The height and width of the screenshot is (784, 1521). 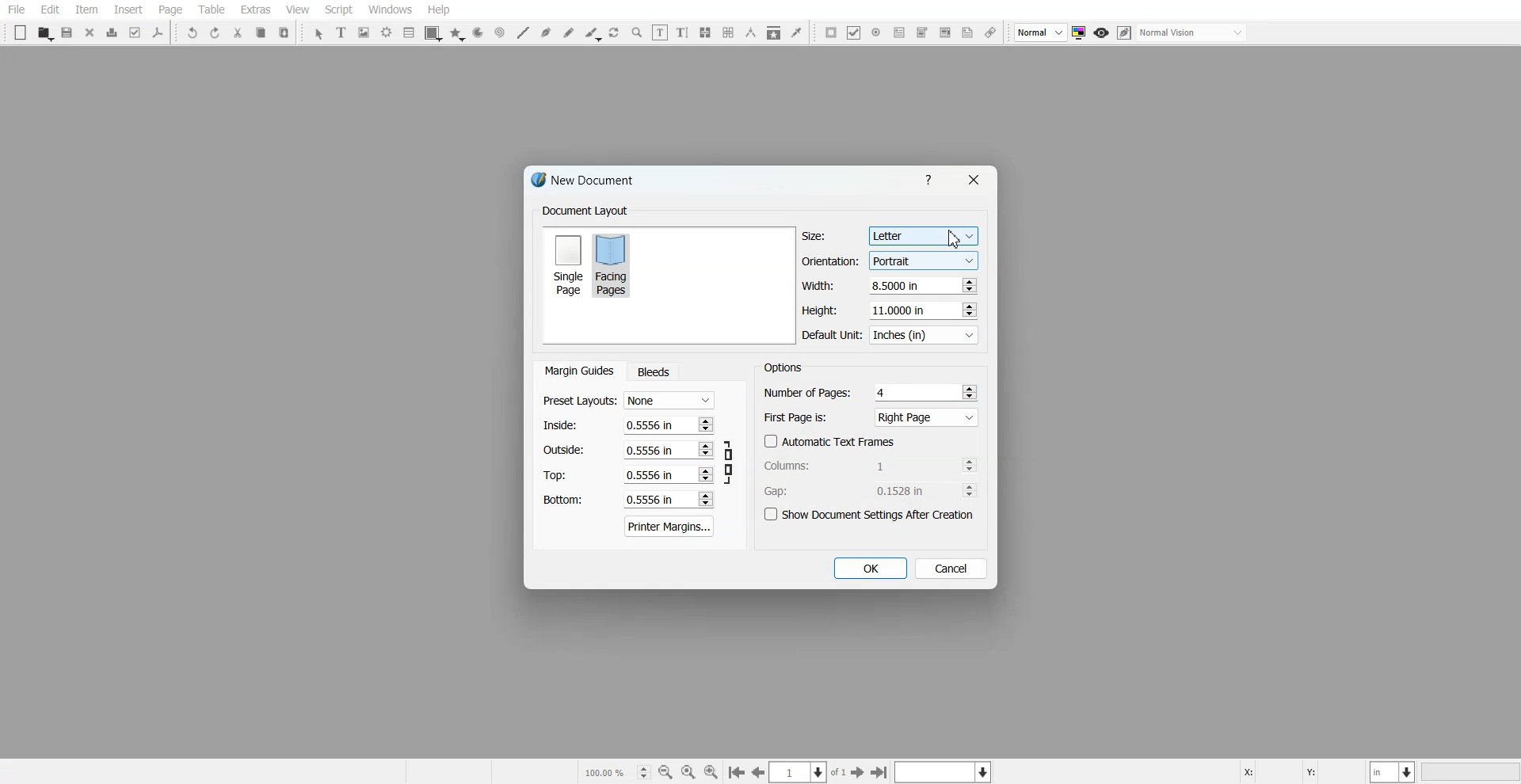 I want to click on Cursor, so click(x=955, y=238).